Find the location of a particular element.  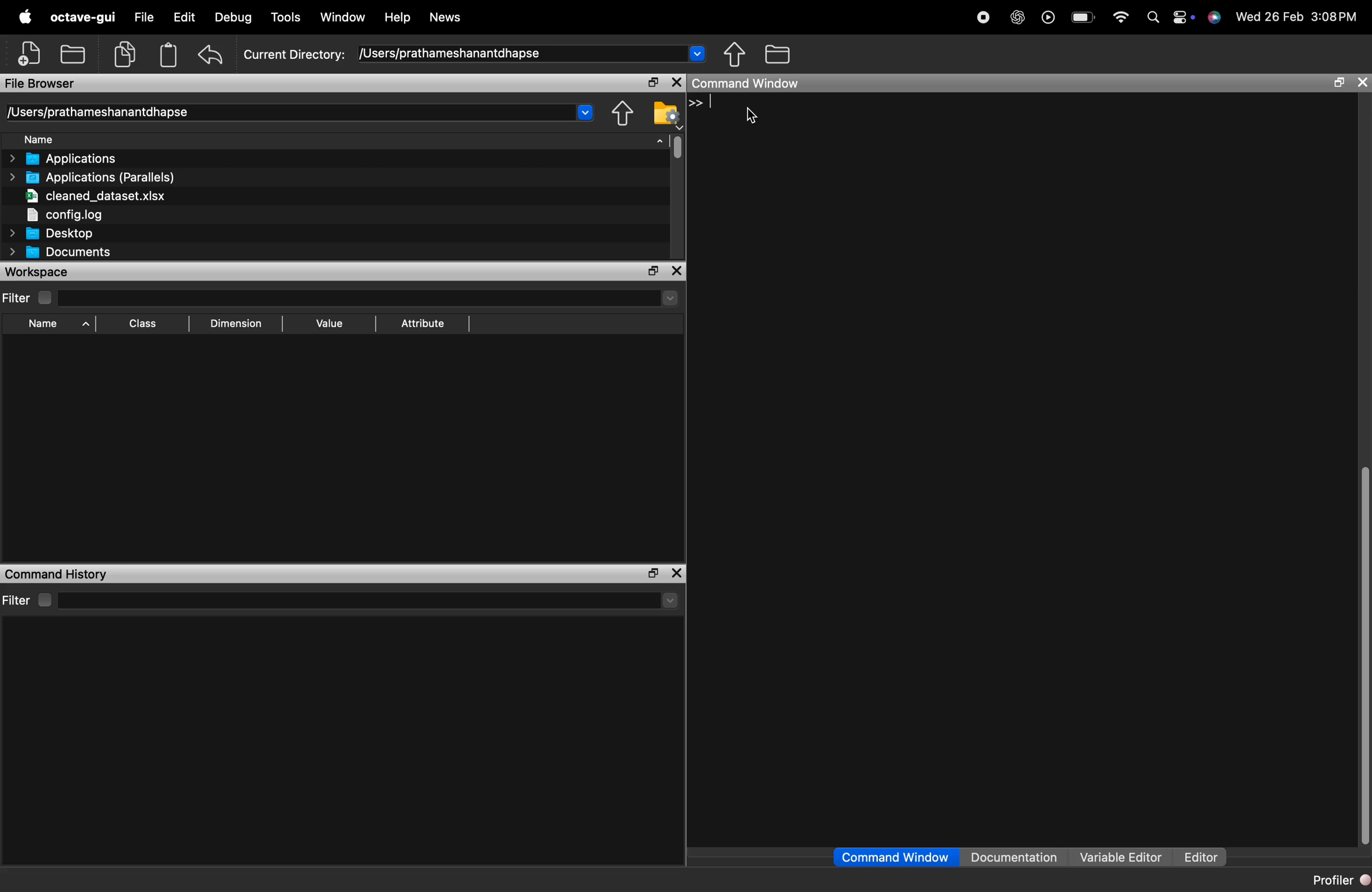

Wed is located at coordinates (1245, 16).